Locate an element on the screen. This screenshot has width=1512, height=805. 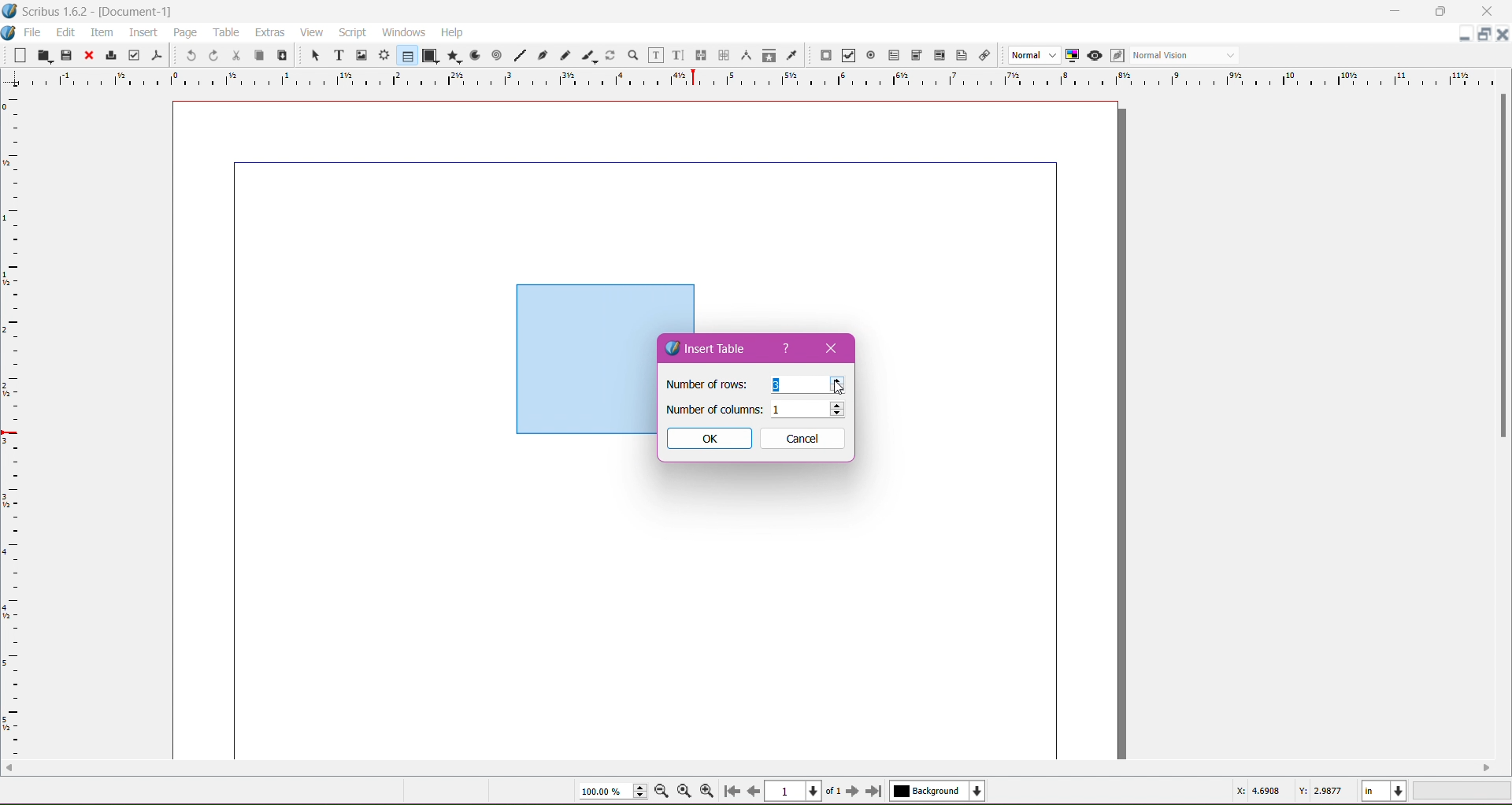
of 1 is located at coordinates (832, 789).